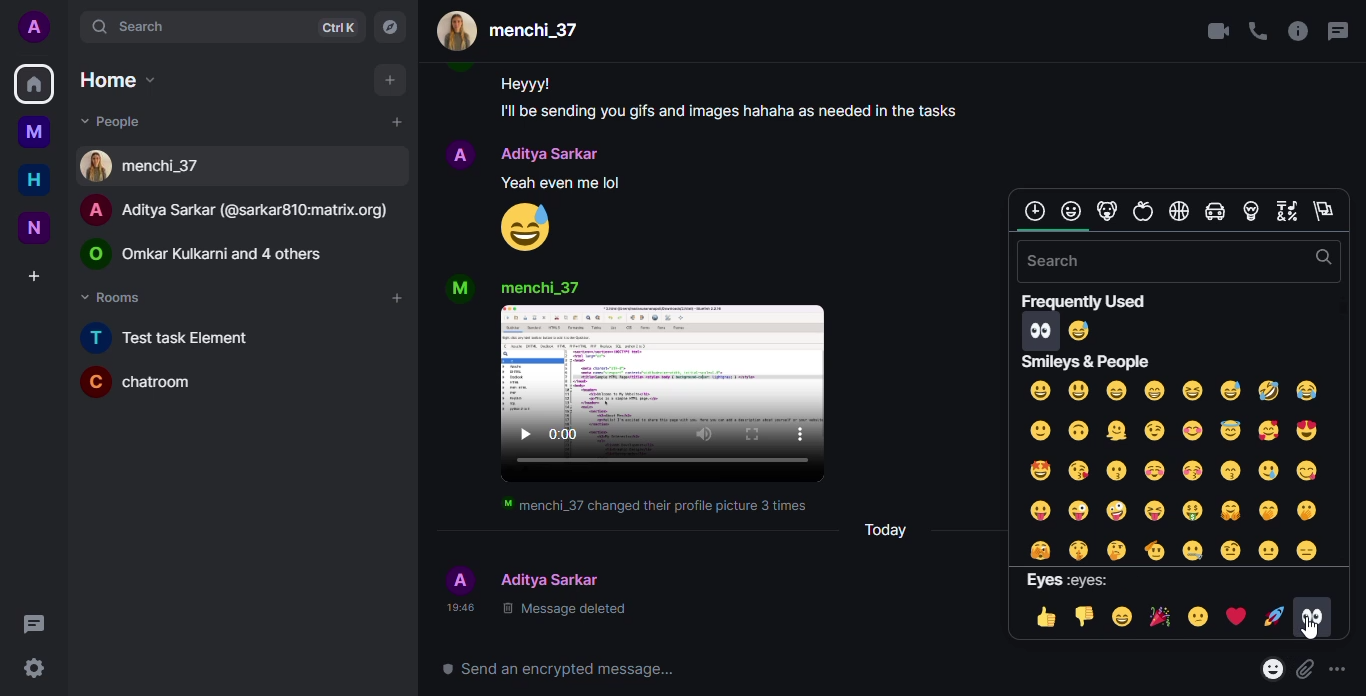 Image resolution: width=1366 pixels, height=696 pixels. I want to click on profile, so click(34, 27).